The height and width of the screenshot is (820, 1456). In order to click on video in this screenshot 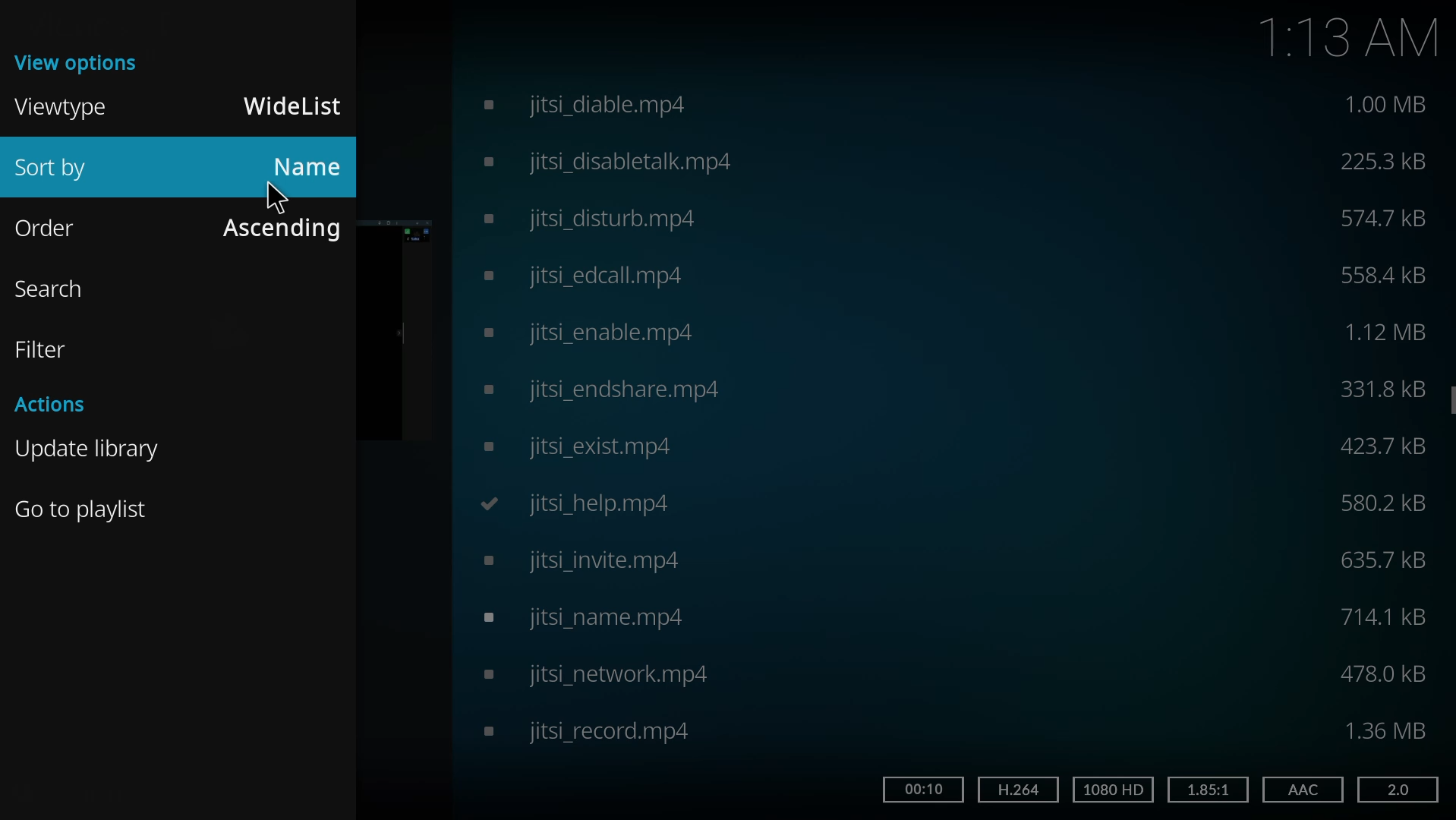, I will do `click(586, 675)`.